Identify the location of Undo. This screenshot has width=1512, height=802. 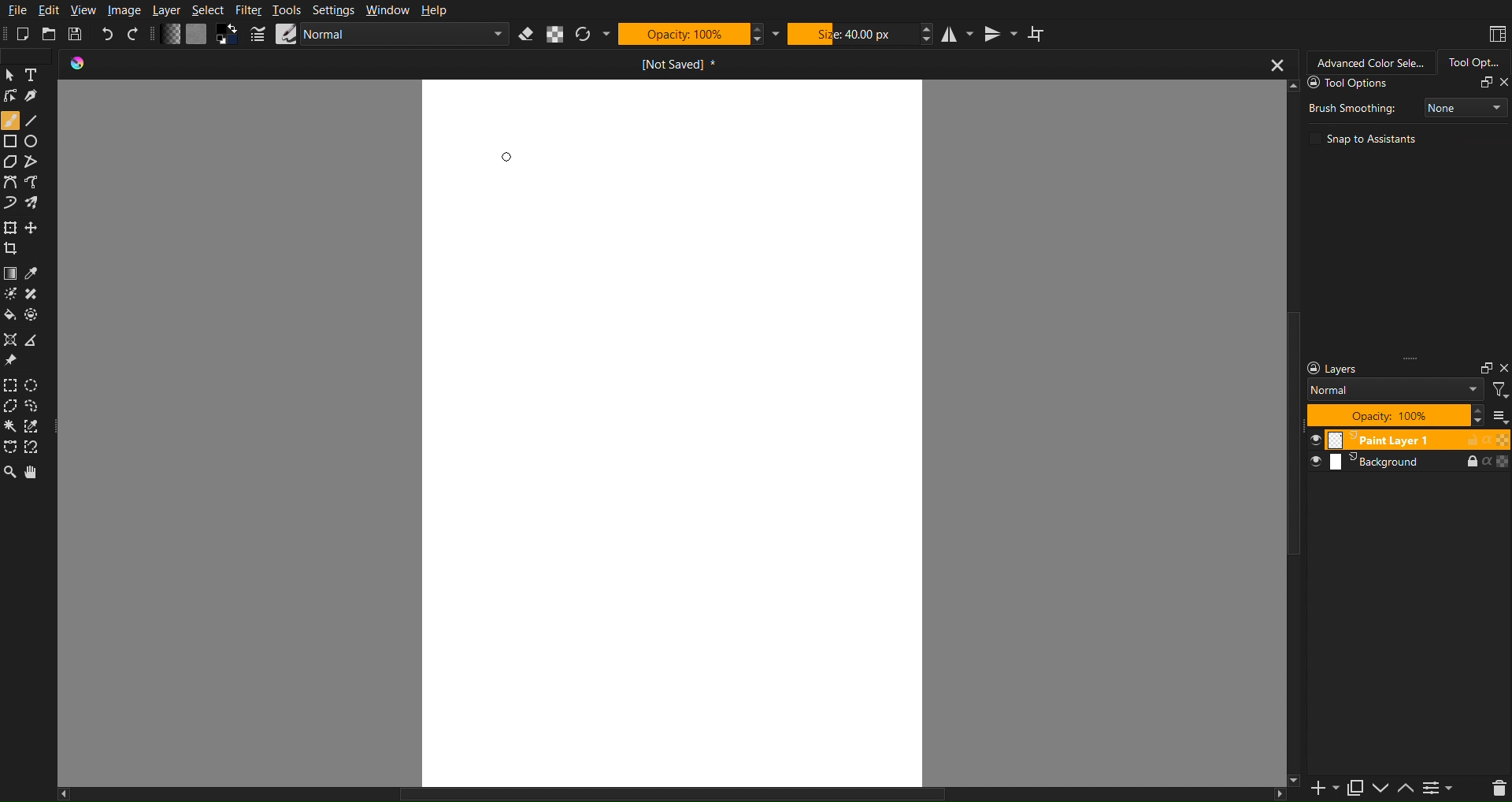
(108, 33).